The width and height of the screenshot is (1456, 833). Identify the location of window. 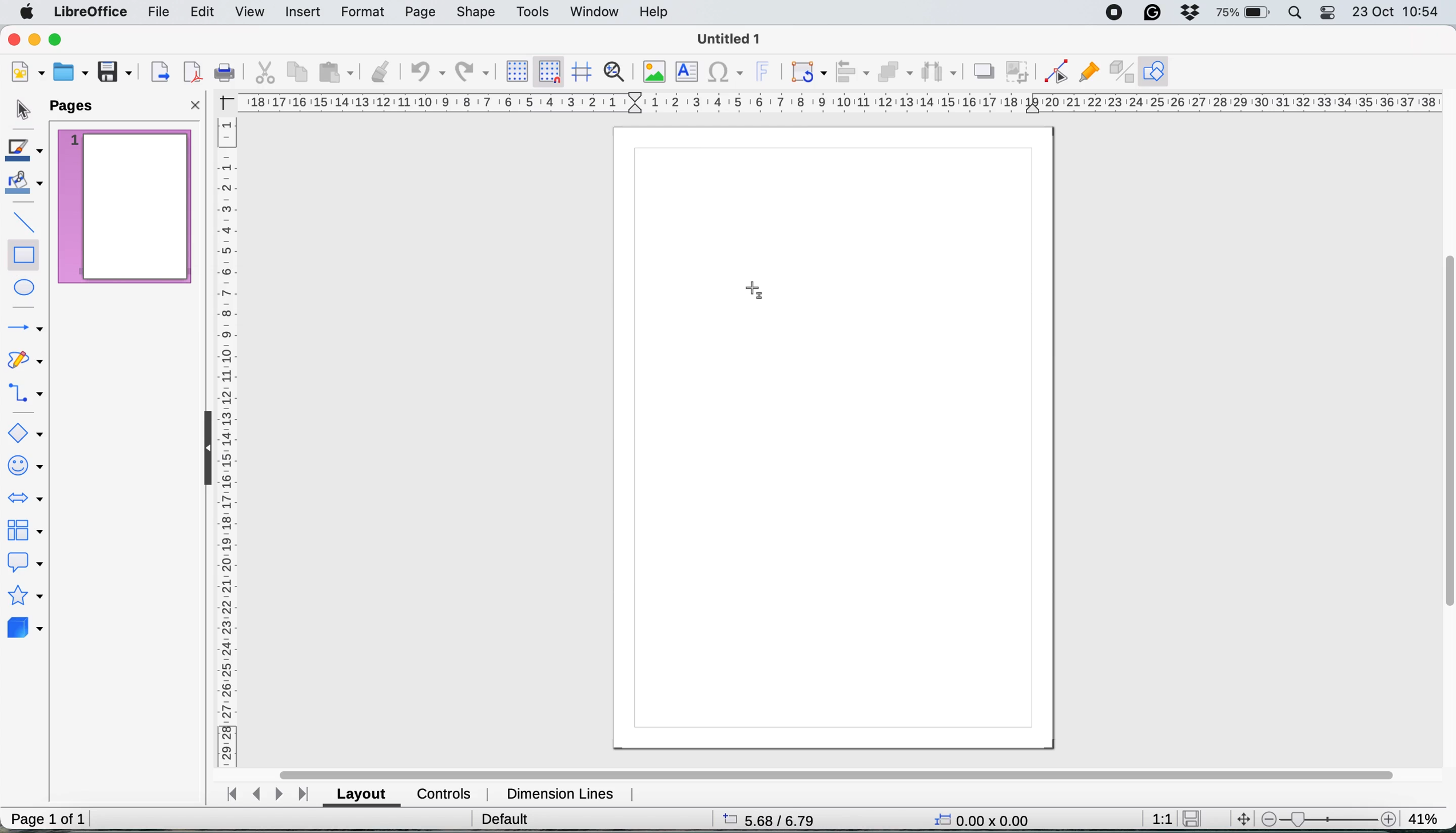
(594, 10).